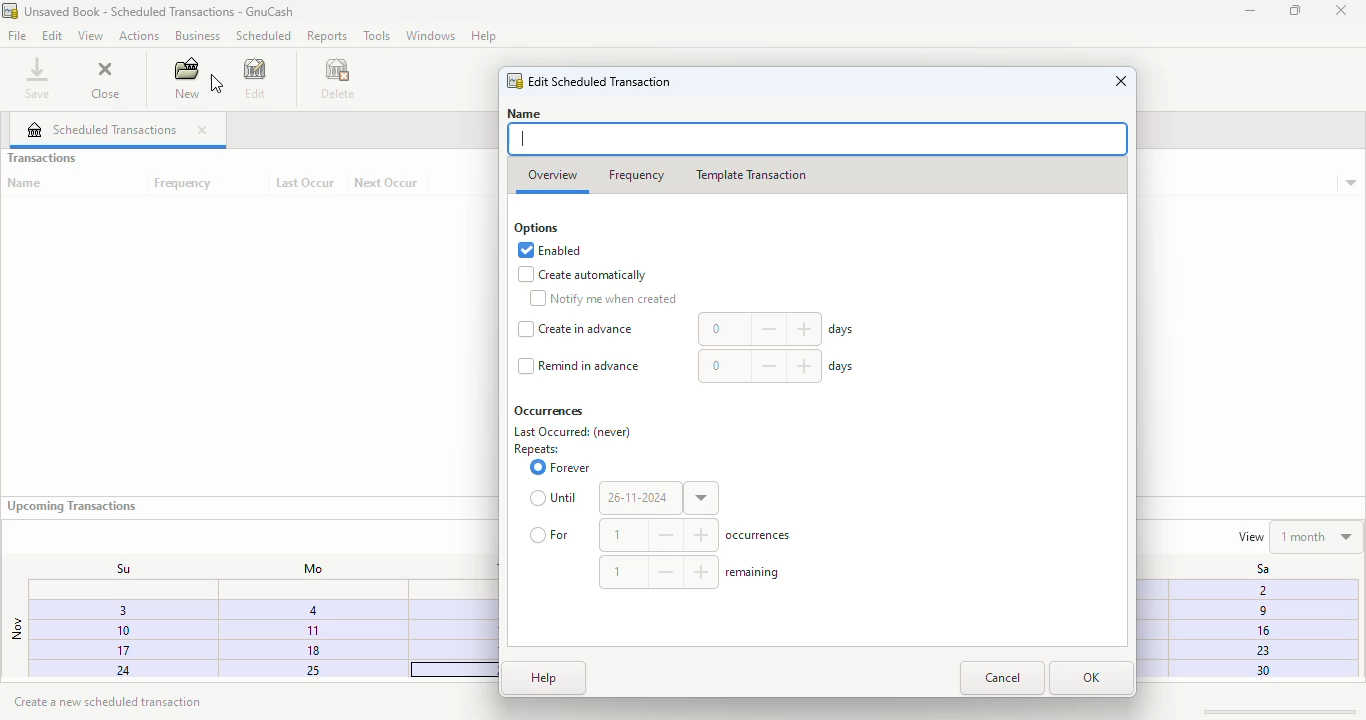 The image size is (1366, 720). I want to click on scheduled transactions, so click(102, 129).